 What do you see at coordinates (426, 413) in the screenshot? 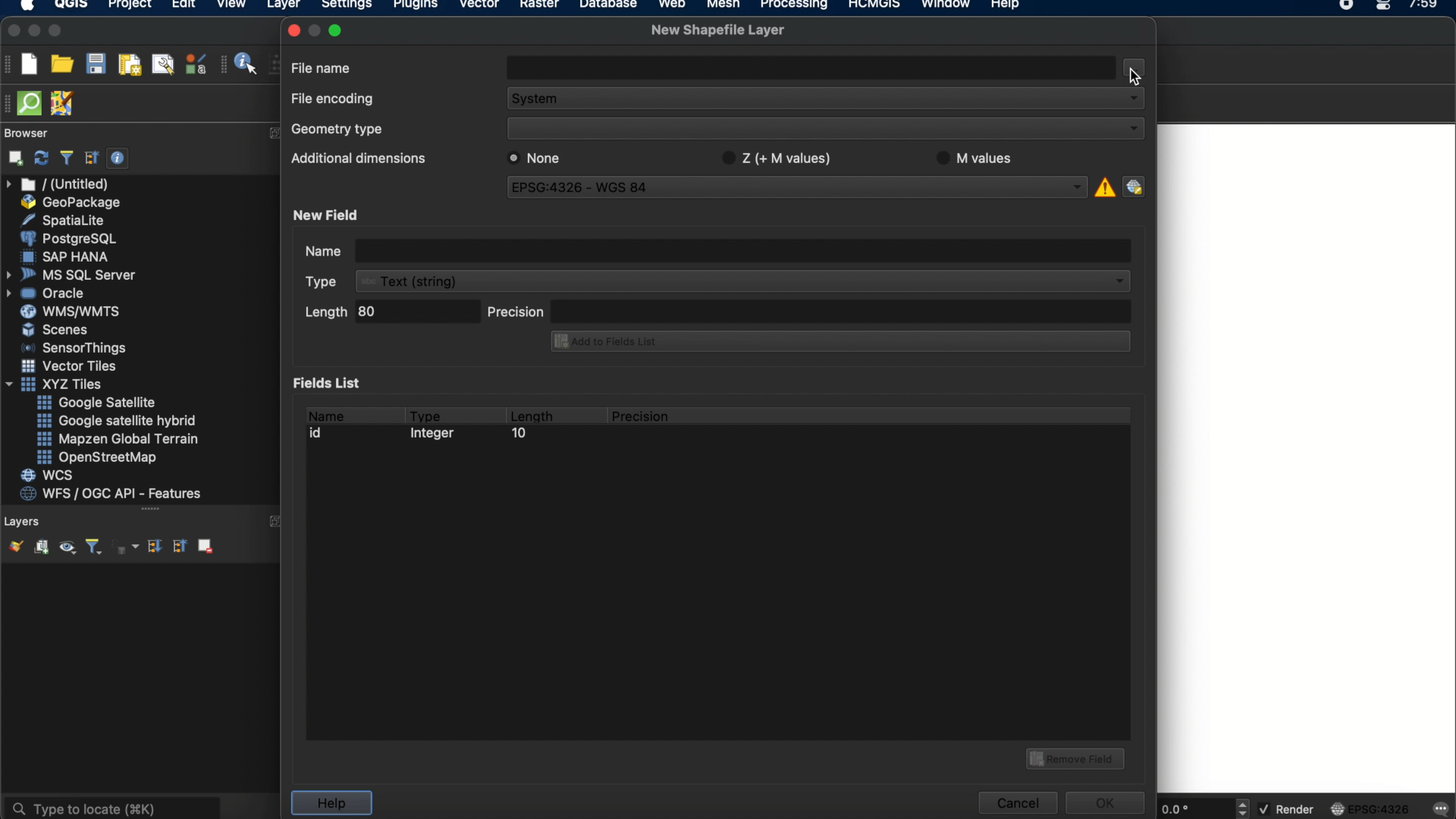
I see `type` at bounding box center [426, 413].